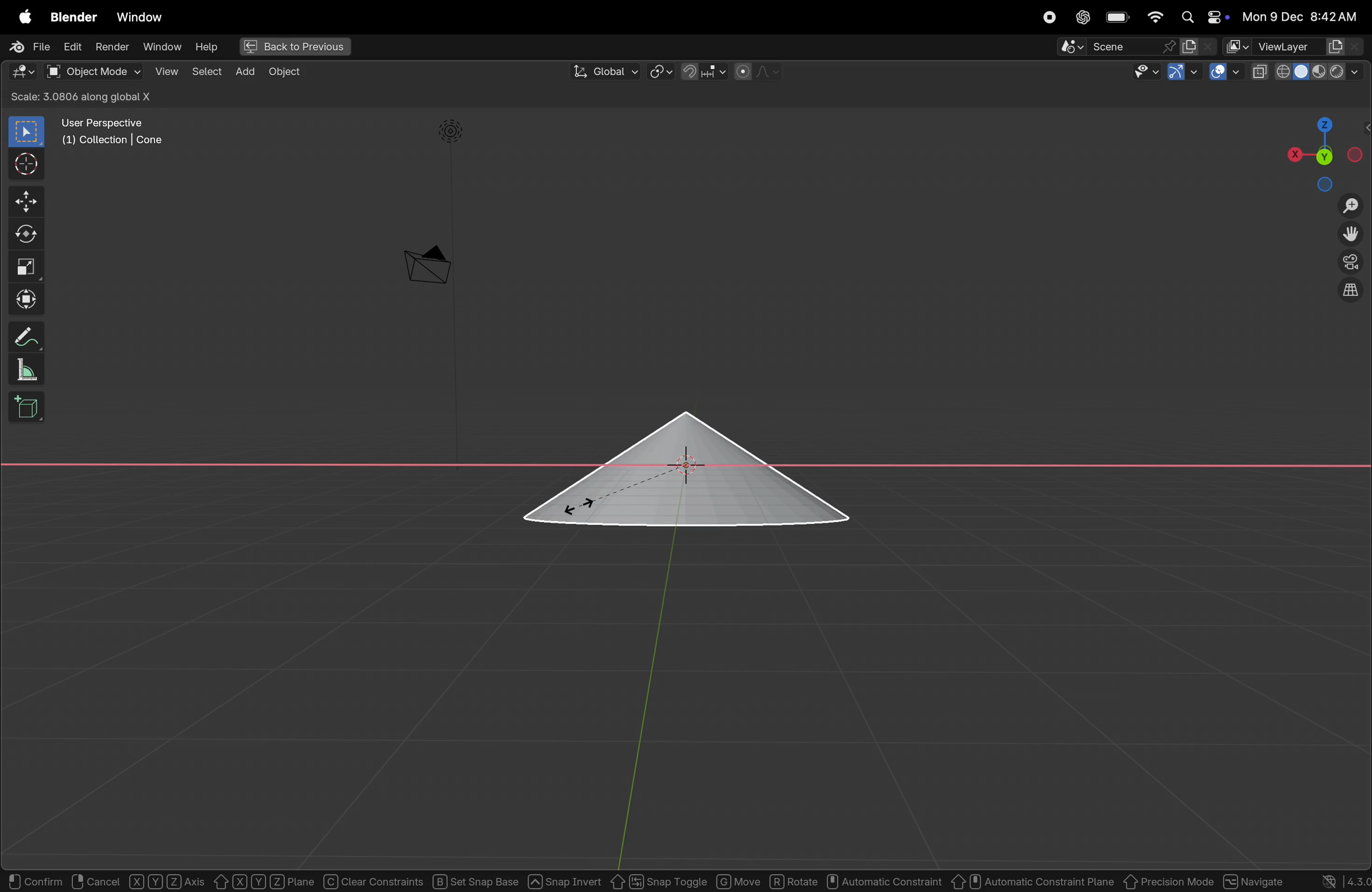 This screenshot has height=892, width=1372. Describe the element at coordinates (1353, 205) in the screenshot. I see `zoom in zom out` at that location.